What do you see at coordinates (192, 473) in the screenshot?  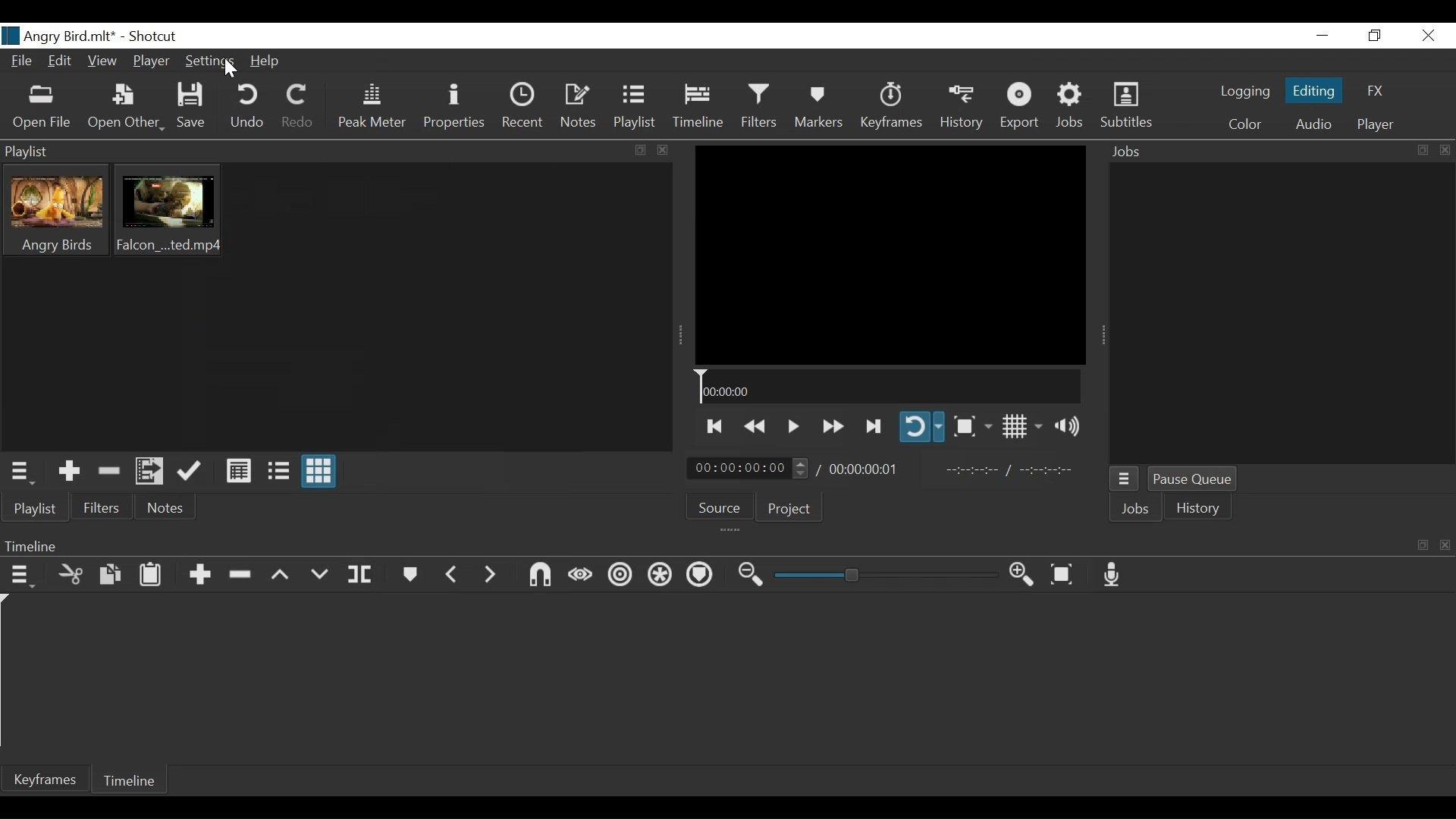 I see `Update` at bounding box center [192, 473].